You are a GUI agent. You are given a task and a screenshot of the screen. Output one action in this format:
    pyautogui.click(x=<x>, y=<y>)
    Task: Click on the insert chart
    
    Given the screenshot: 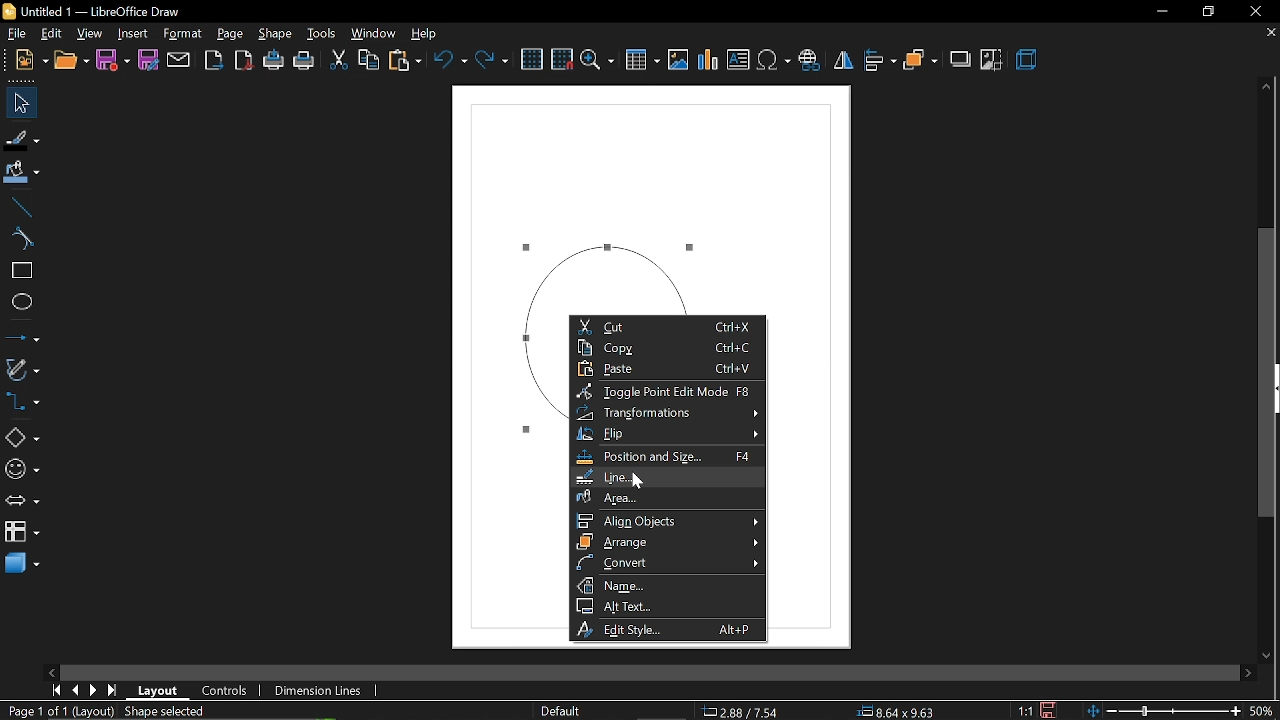 What is the action you would take?
    pyautogui.click(x=706, y=60)
    